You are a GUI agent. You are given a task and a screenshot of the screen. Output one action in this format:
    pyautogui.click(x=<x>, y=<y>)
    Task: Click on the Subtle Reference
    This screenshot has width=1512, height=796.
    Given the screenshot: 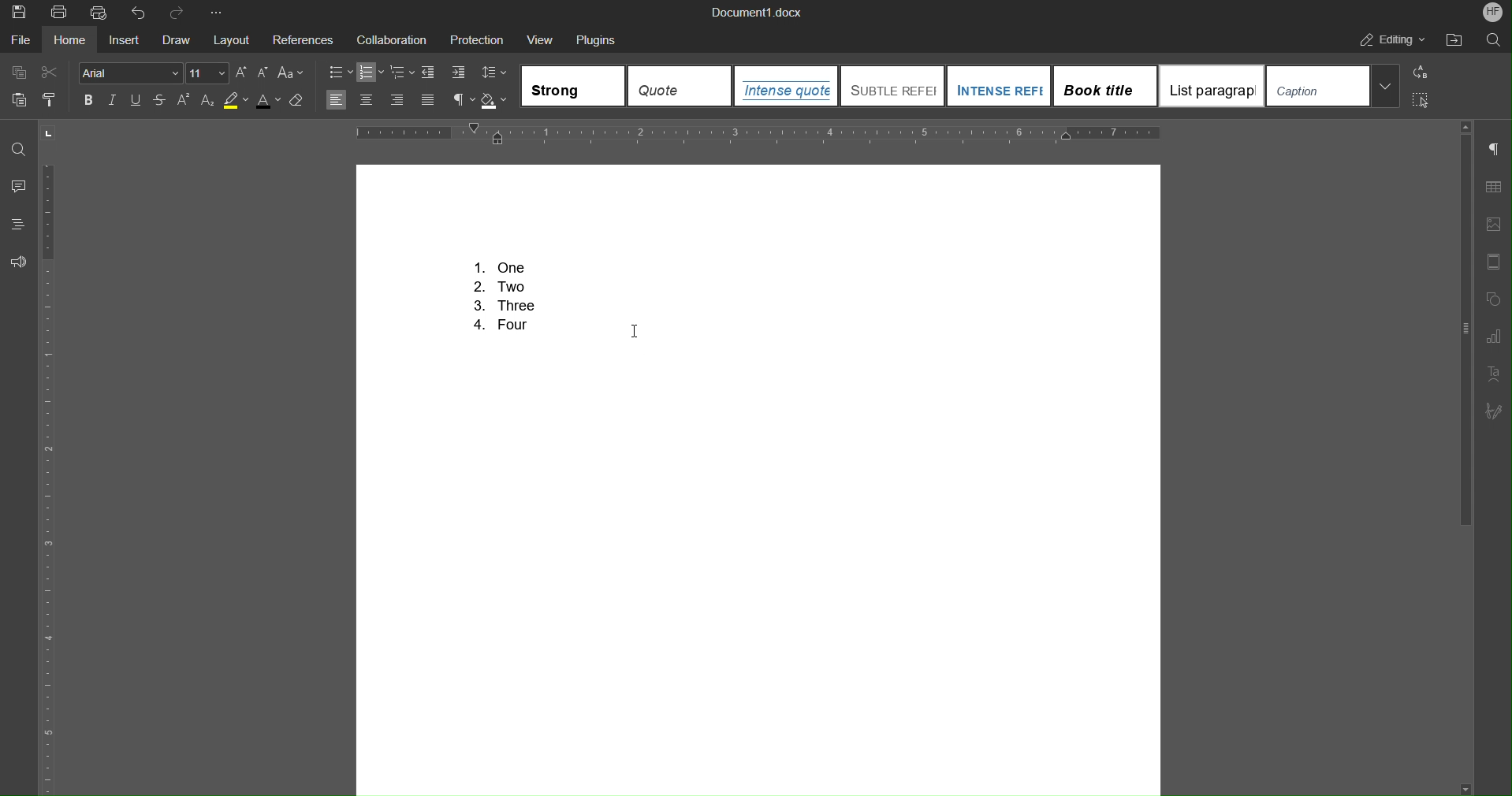 What is the action you would take?
    pyautogui.click(x=892, y=85)
    